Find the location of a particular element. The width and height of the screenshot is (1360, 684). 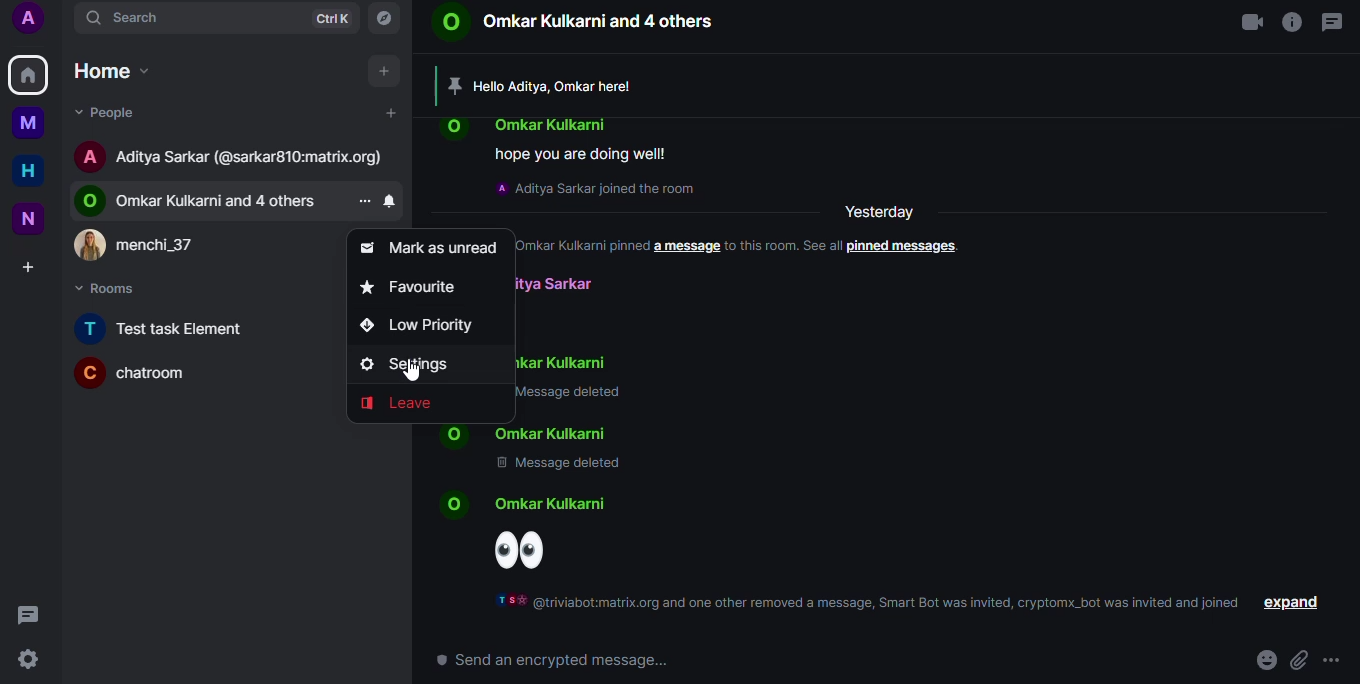

 Hello Aditya, Omkar herel is located at coordinates (559, 86).